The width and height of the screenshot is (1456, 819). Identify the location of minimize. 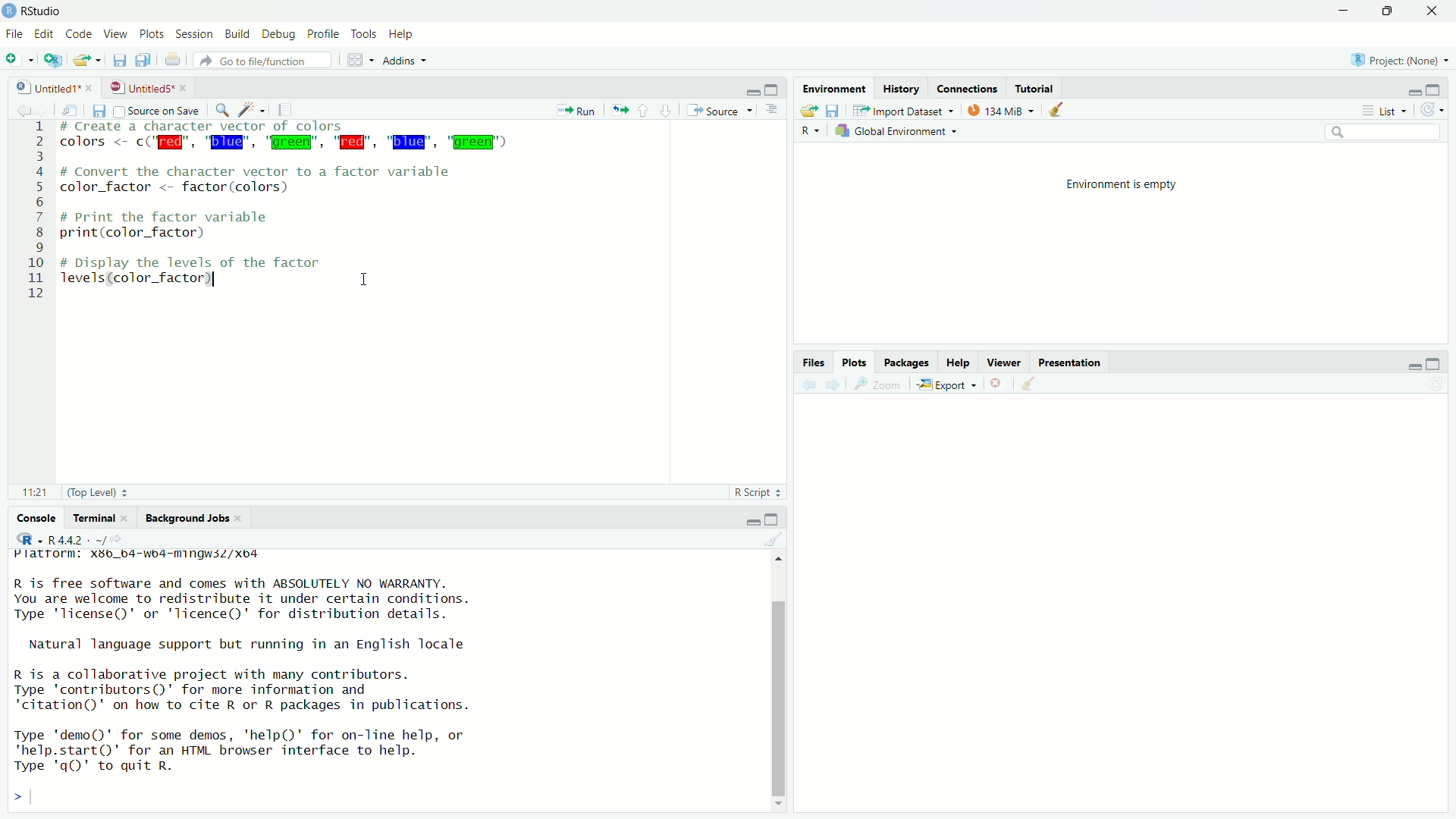
(1406, 87).